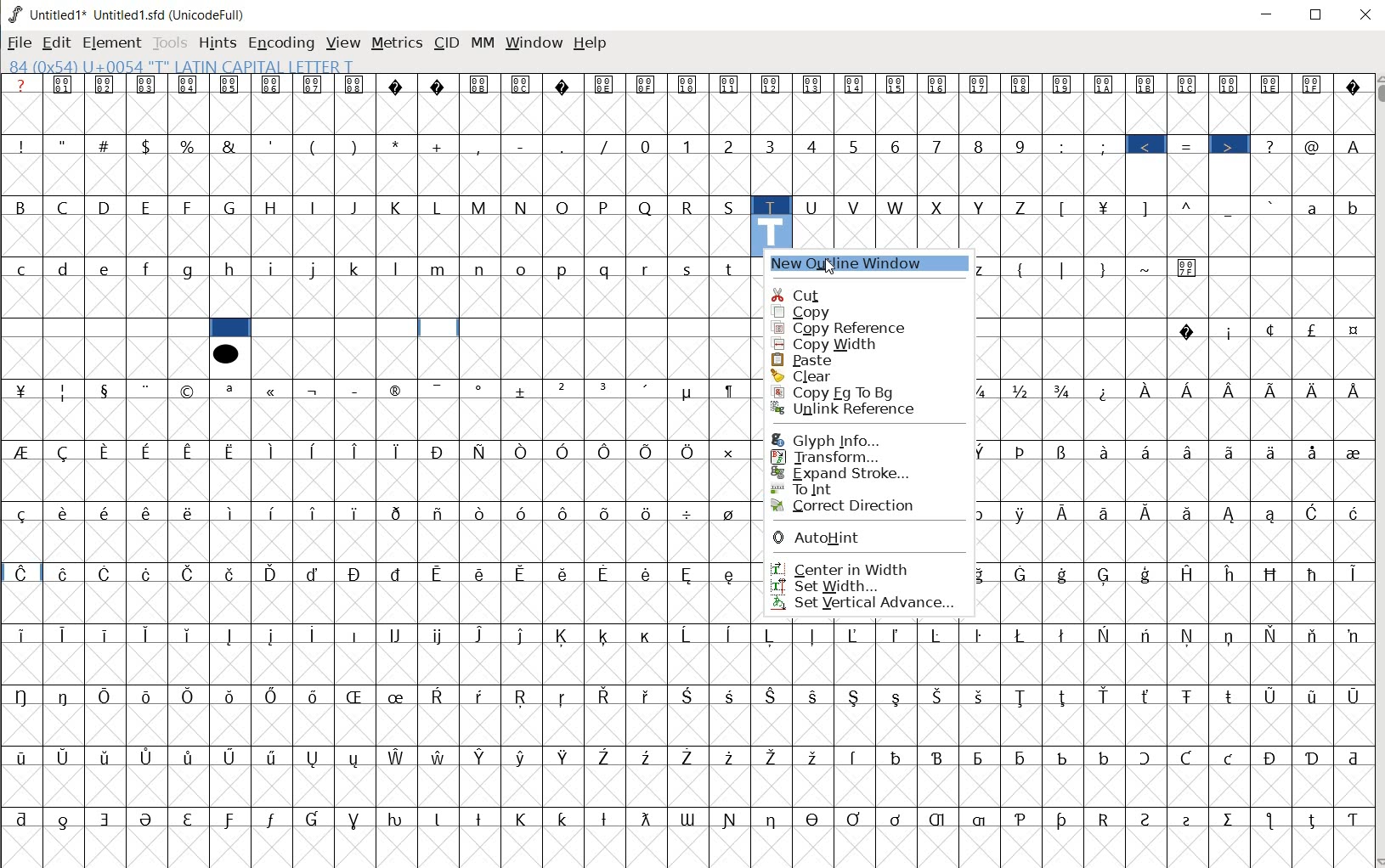 This screenshot has width=1385, height=868. I want to click on Symbol, so click(314, 696).